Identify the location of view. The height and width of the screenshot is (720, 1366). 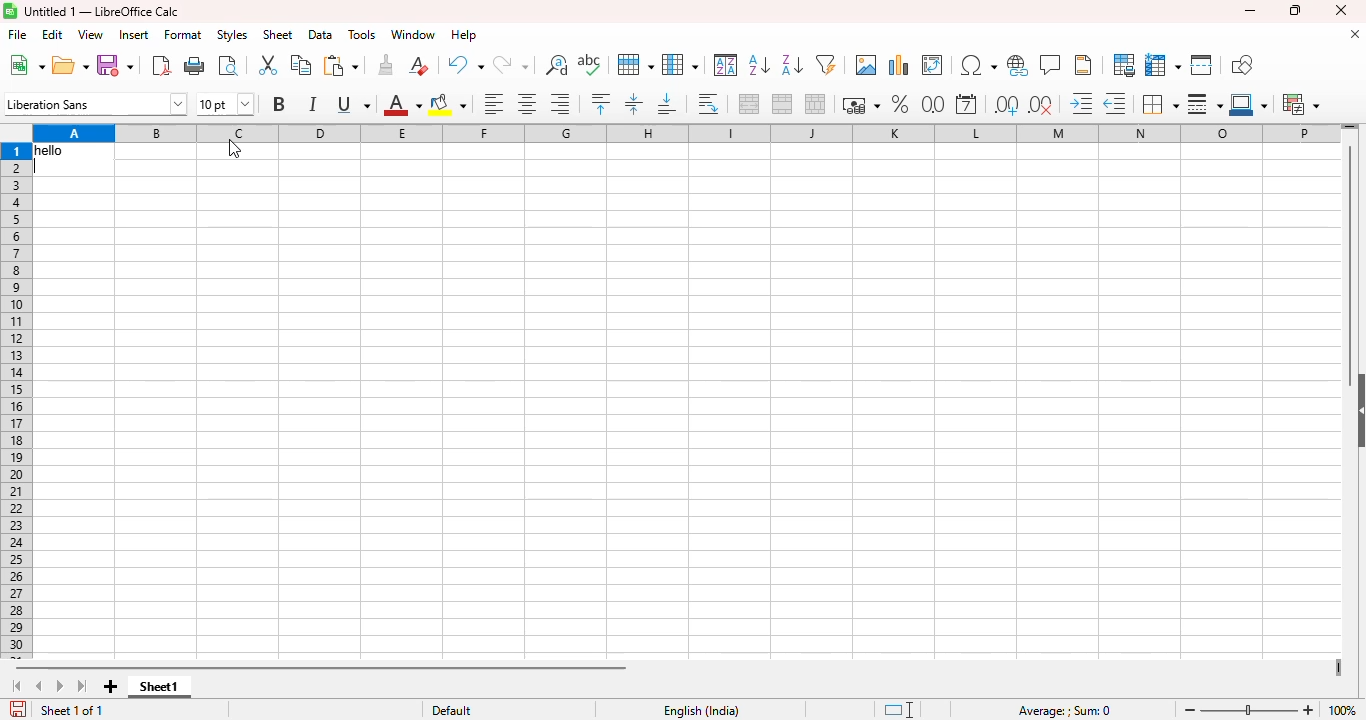
(91, 35).